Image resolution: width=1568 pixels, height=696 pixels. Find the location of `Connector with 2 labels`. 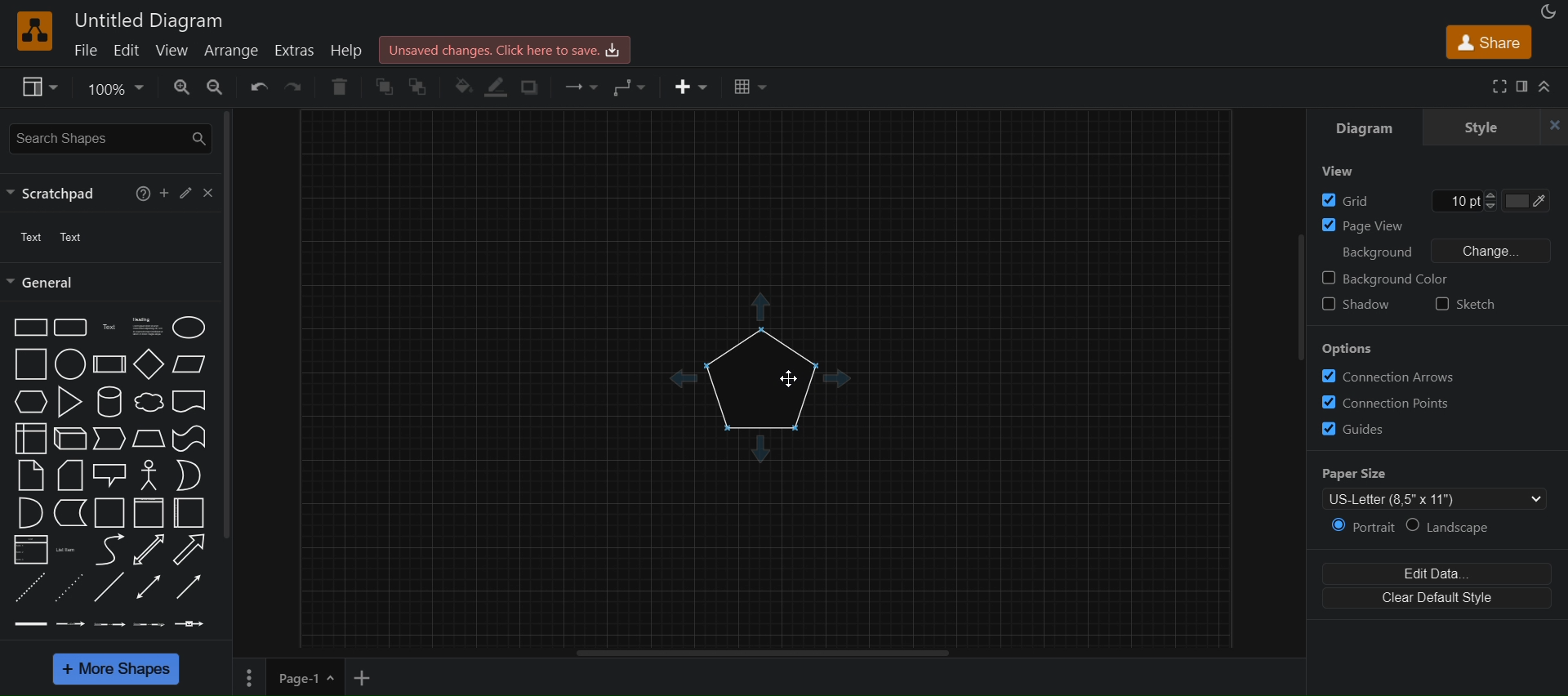

Connector with 2 labels is located at coordinates (109, 625).